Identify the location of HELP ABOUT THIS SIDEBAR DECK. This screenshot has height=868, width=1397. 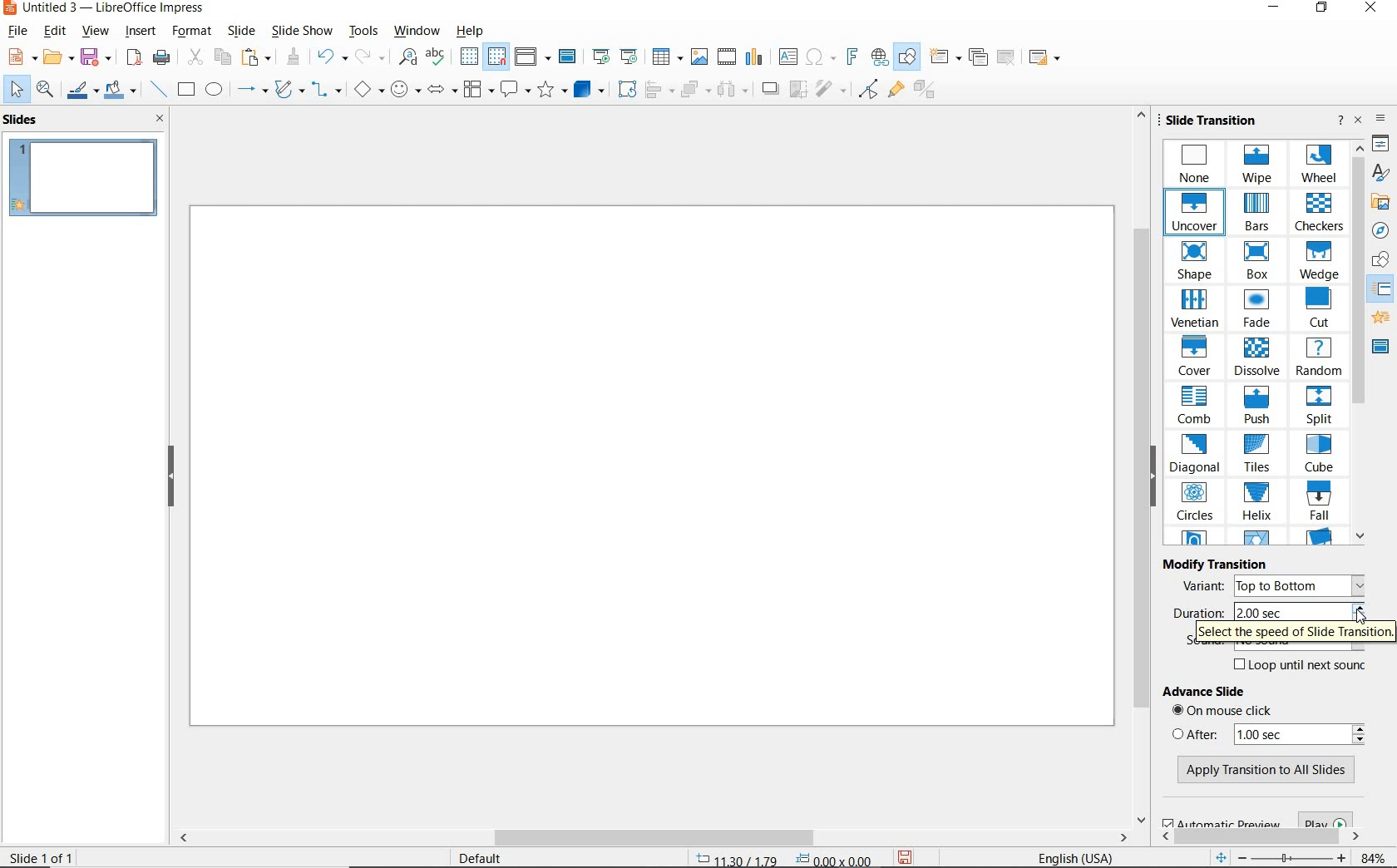
(1341, 121).